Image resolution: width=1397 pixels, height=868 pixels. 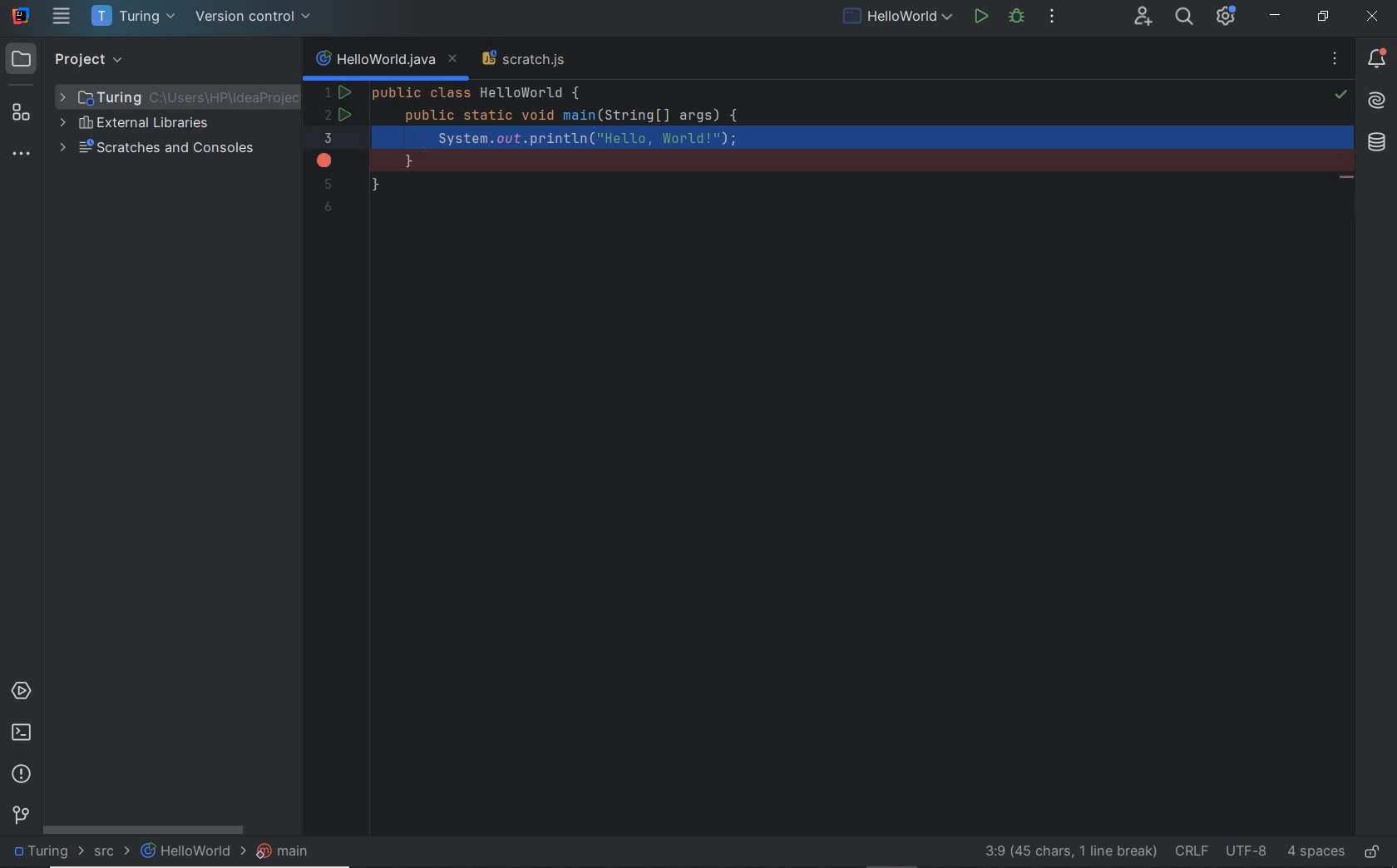 What do you see at coordinates (1052, 18) in the screenshot?
I see `more actions` at bounding box center [1052, 18].